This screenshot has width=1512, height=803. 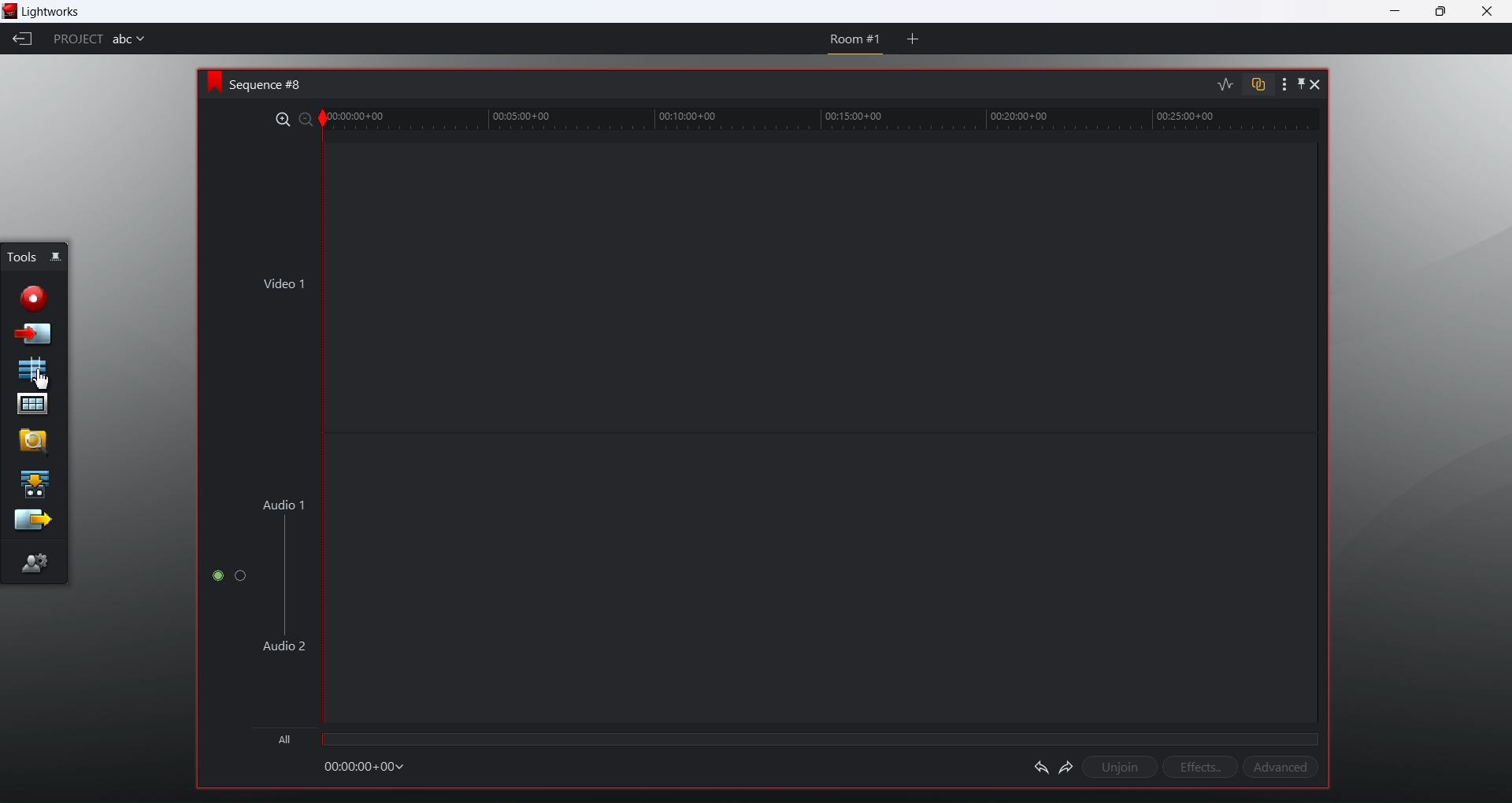 I want to click on sequence number, so click(x=275, y=84).